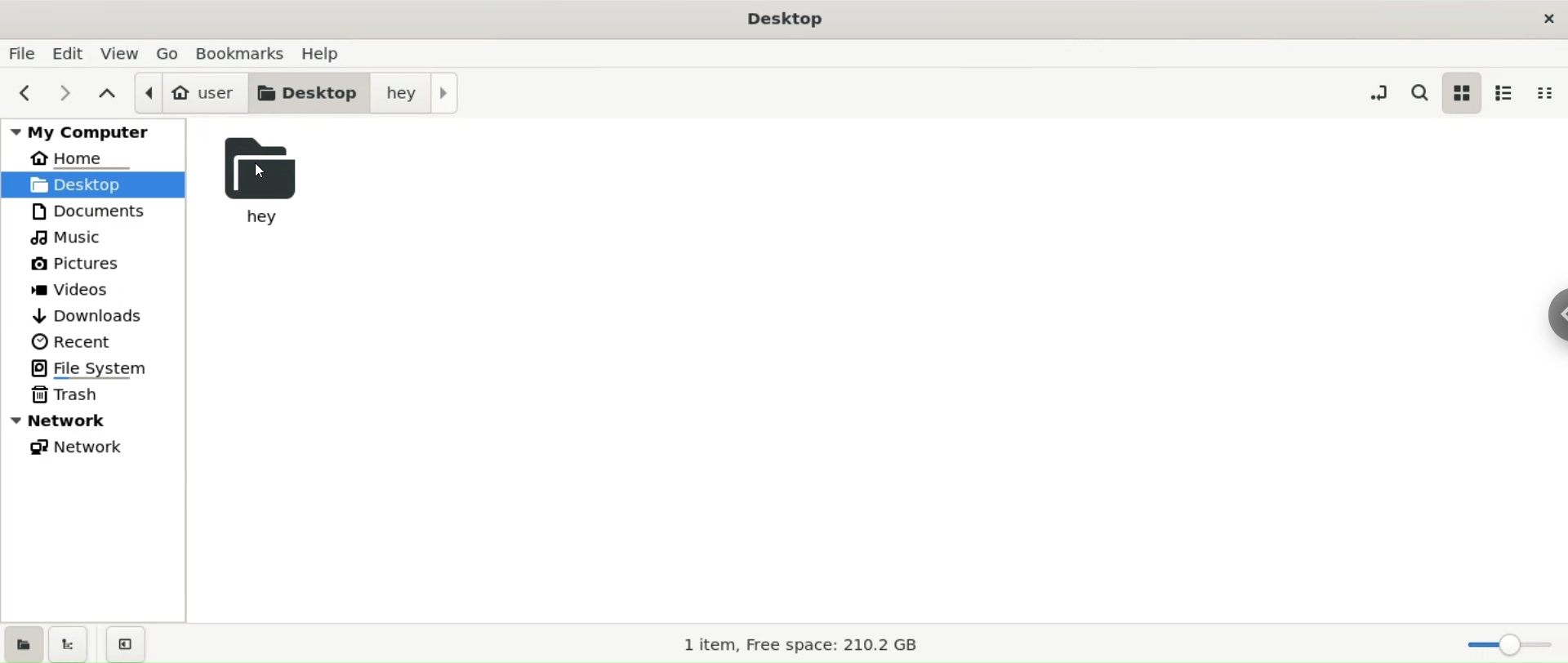  Describe the element at coordinates (1546, 16) in the screenshot. I see `close` at that location.